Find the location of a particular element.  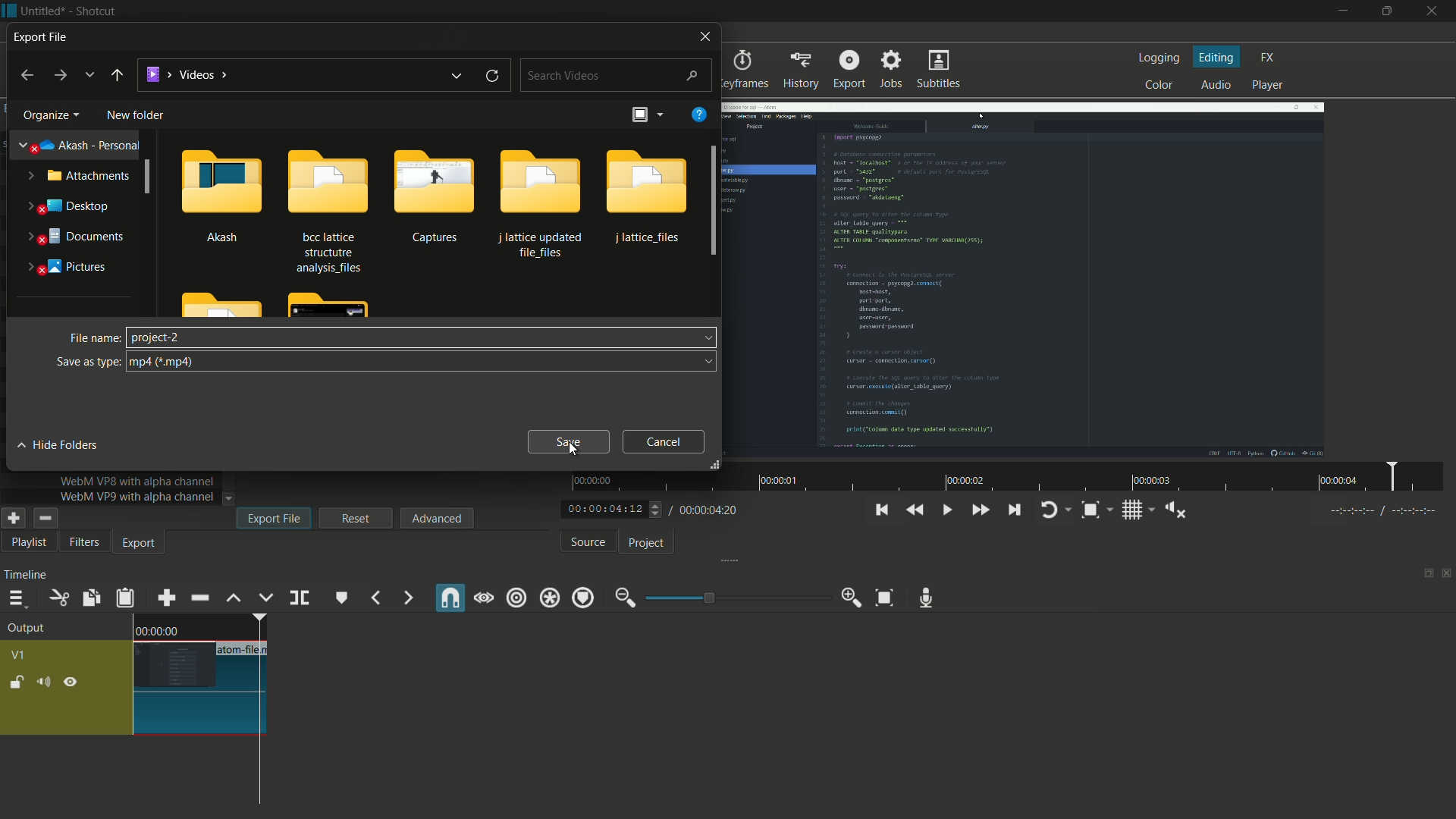

cursor is located at coordinates (573, 449).